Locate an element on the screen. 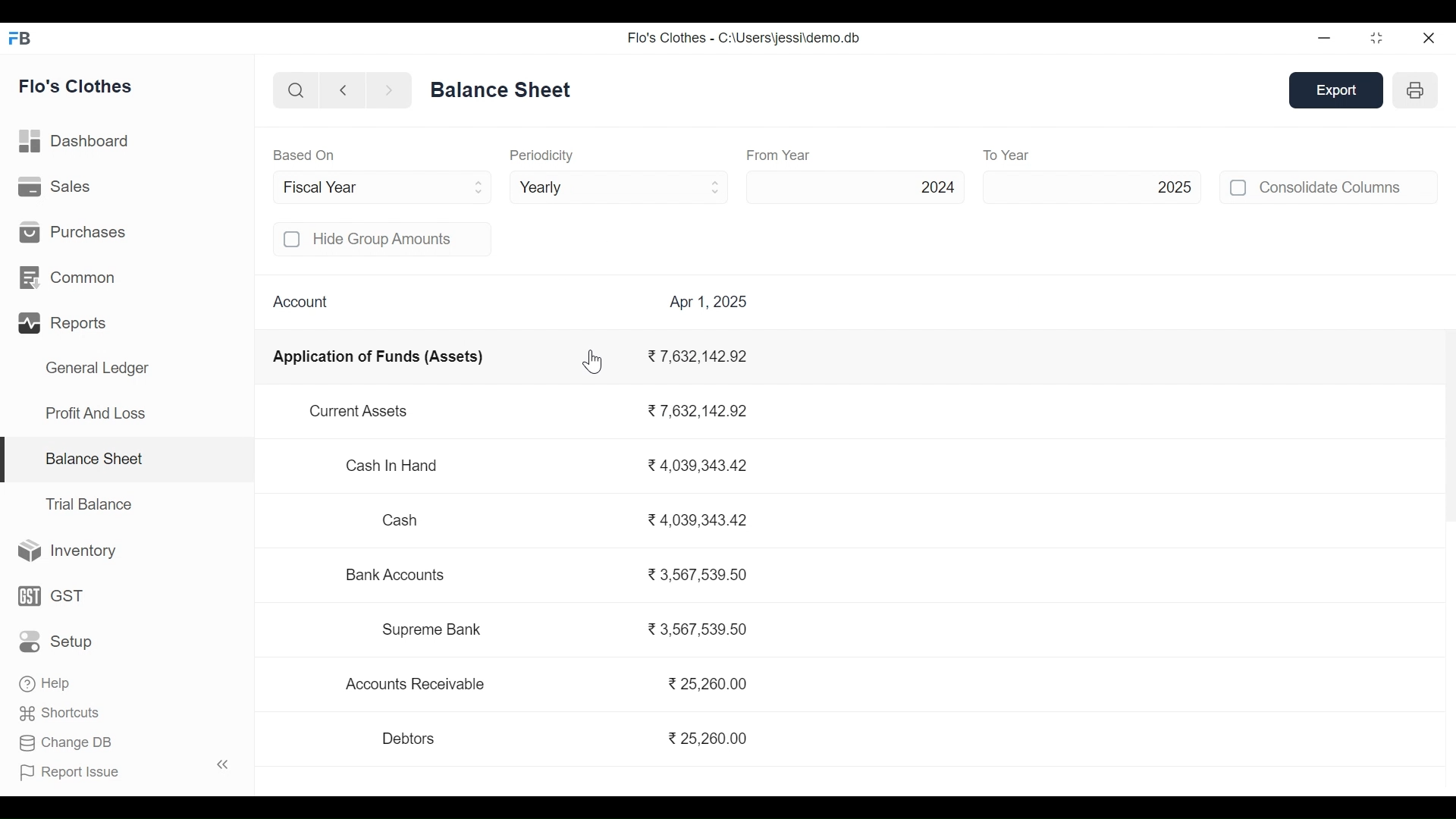 Image resolution: width=1456 pixels, height=819 pixels. inventory is located at coordinates (68, 551).